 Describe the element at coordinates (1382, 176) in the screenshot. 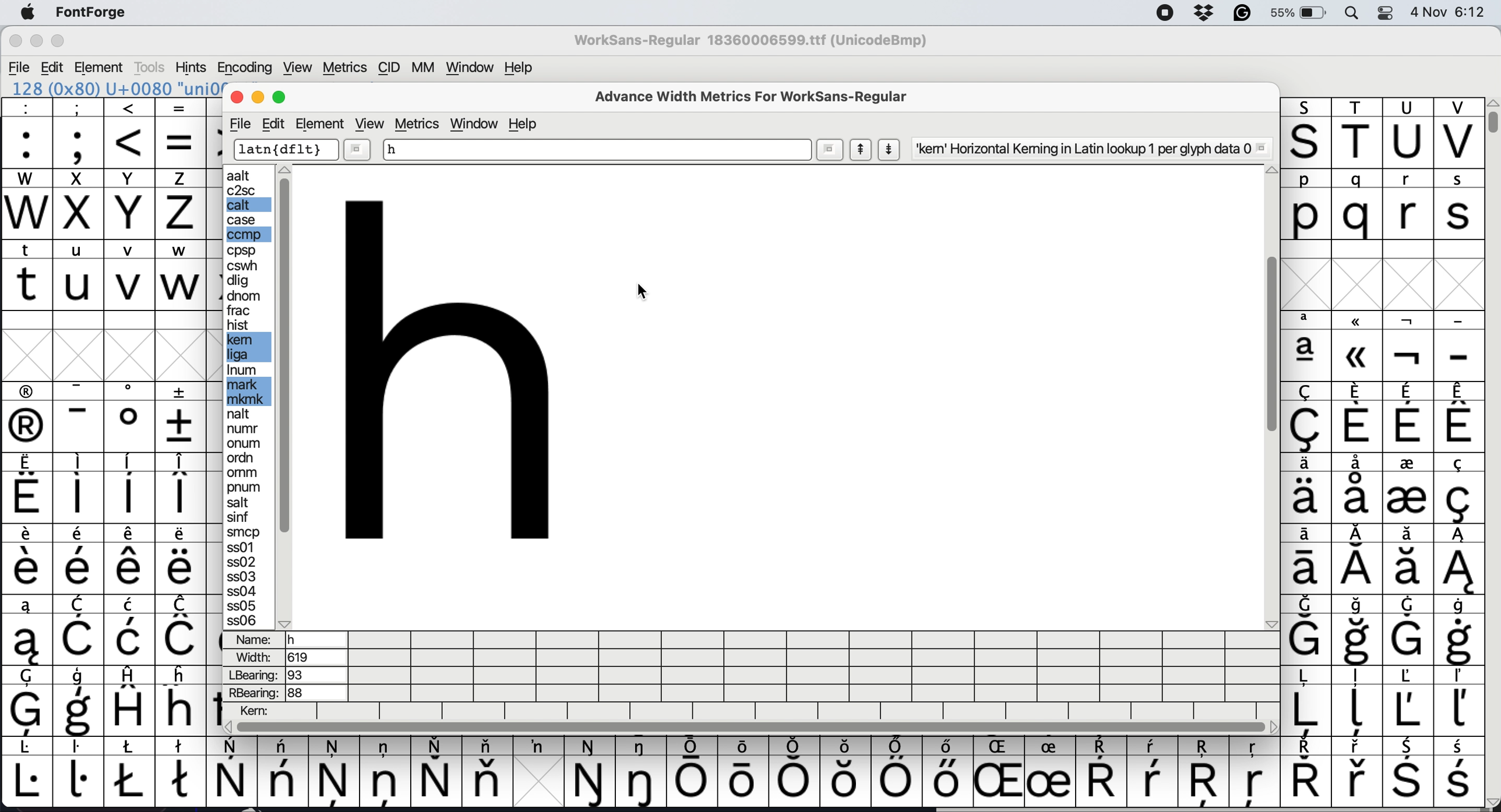

I see `lowercase letters` at that location.